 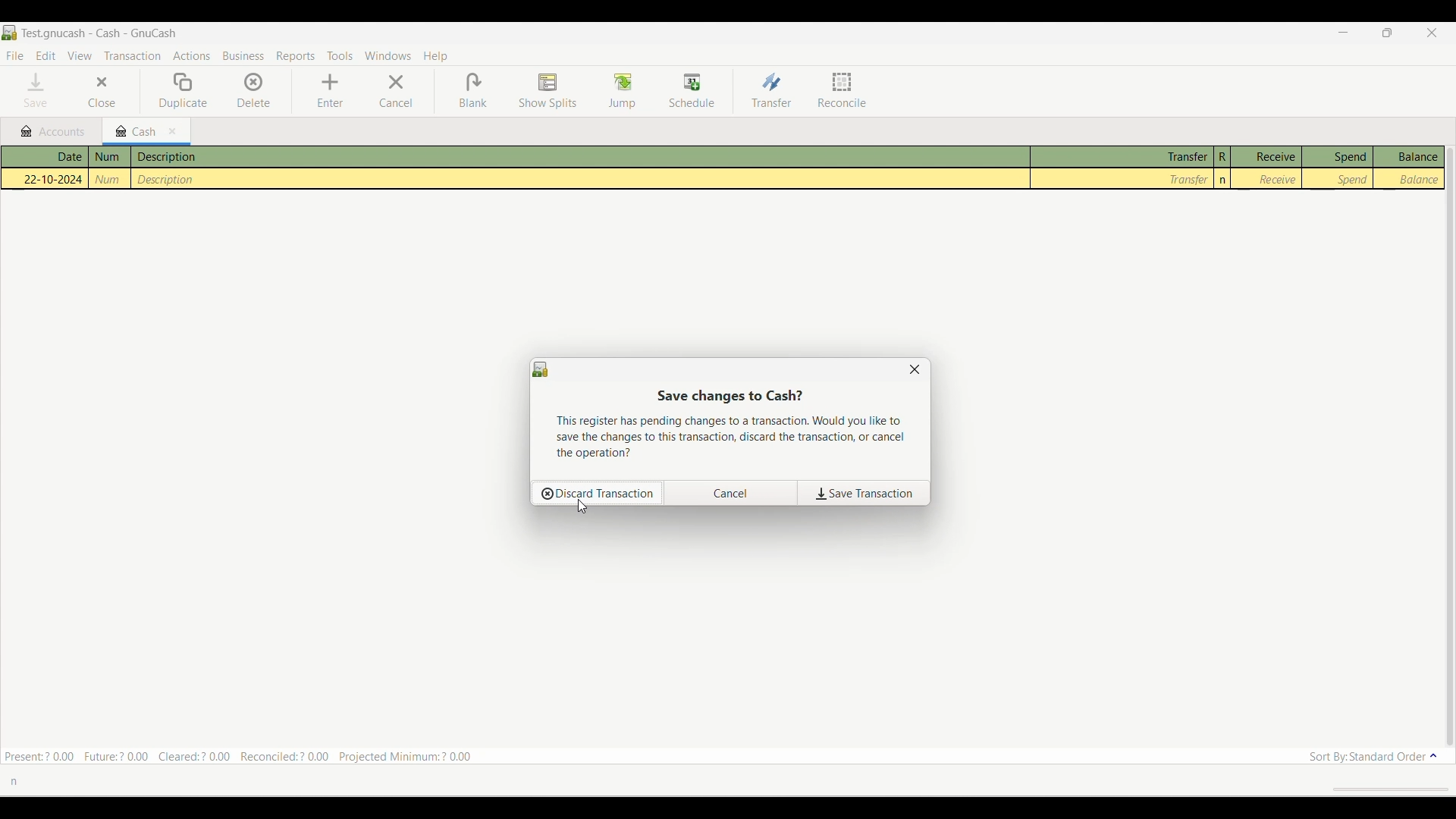 I want to click on Delete, so click(x=254, y=90).